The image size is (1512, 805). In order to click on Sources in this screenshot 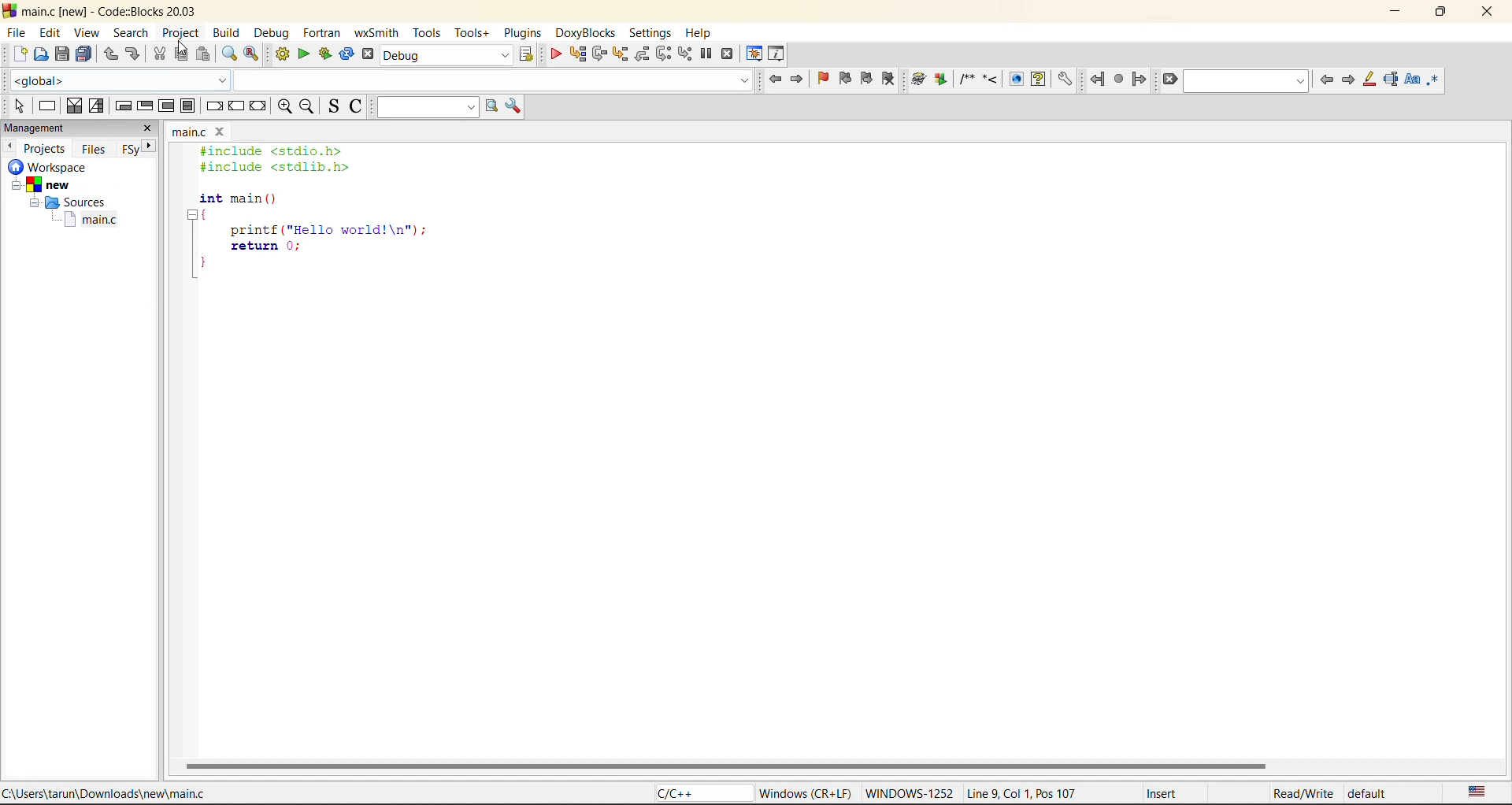, I will do `click(65, 204)`.